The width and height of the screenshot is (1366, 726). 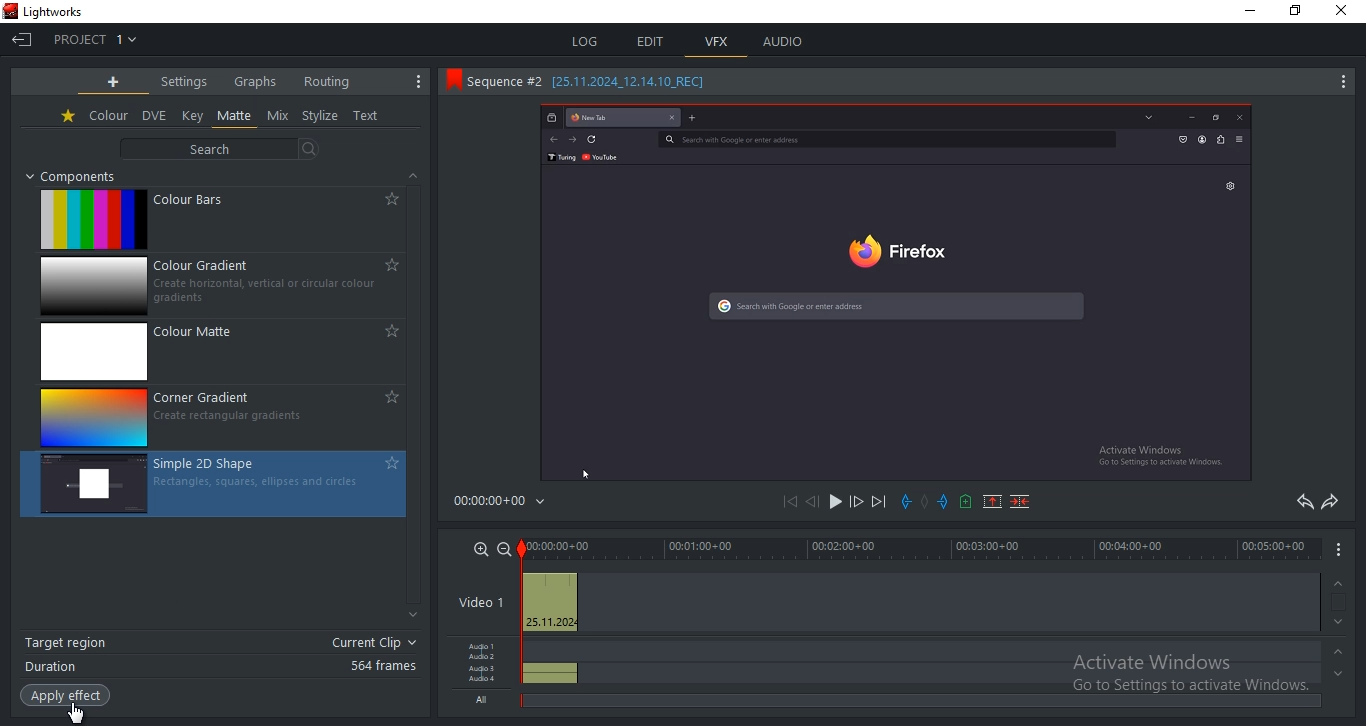 What do you see at coordinates (548, 603) in the screenshot?
I see `video` at bounding box center [548, 603].